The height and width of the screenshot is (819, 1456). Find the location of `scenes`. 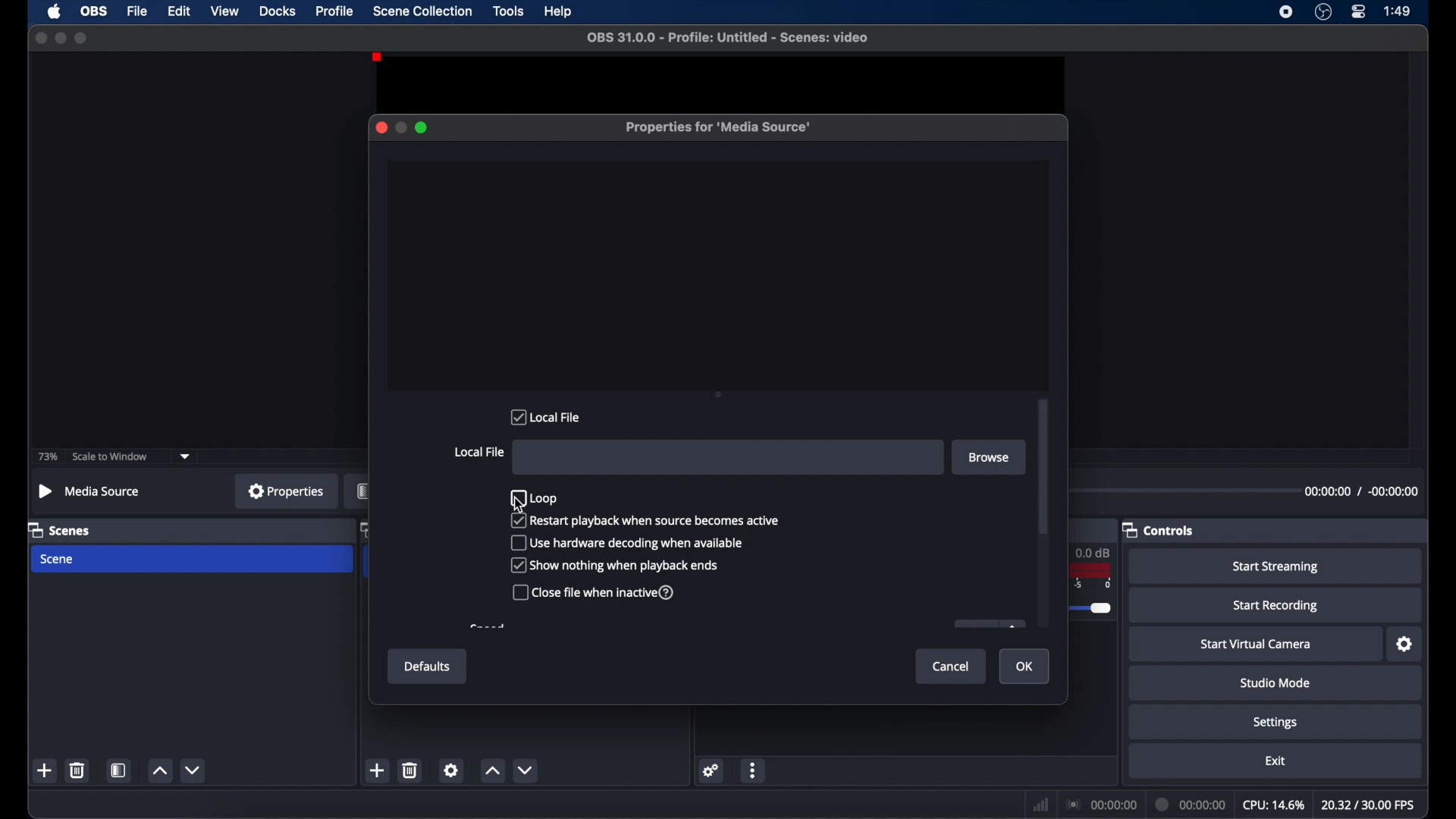

scenes is located at coordinates (60, 529).